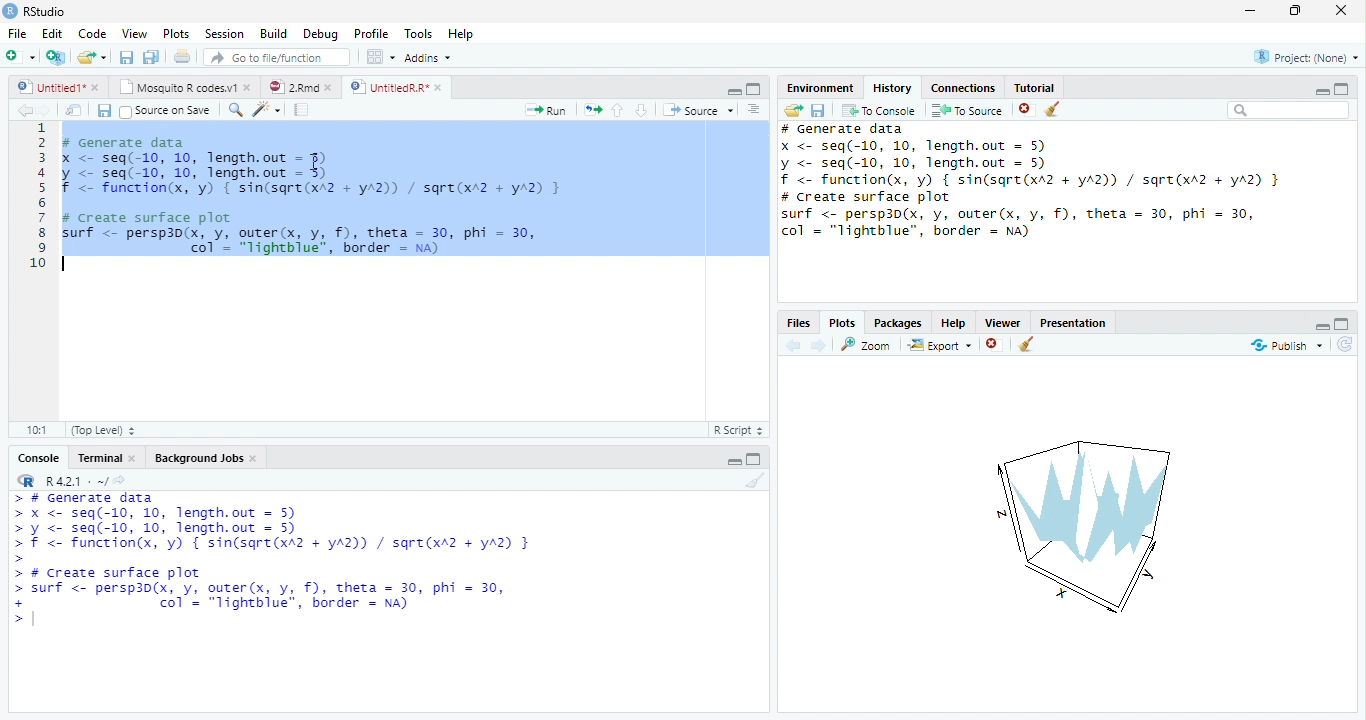 This screenshot has width=1366, height=720. I want to click on R Script, so click(741, 430).